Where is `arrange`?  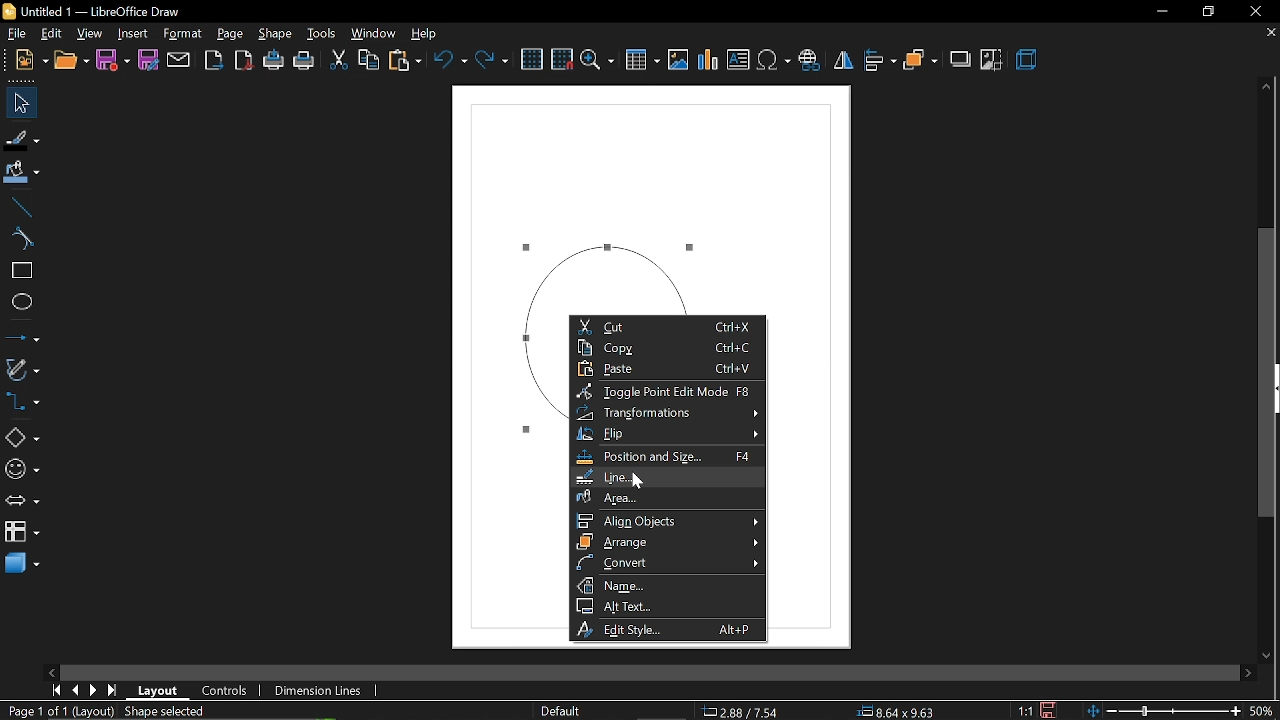
arrange is located at coordinates (921, 59).